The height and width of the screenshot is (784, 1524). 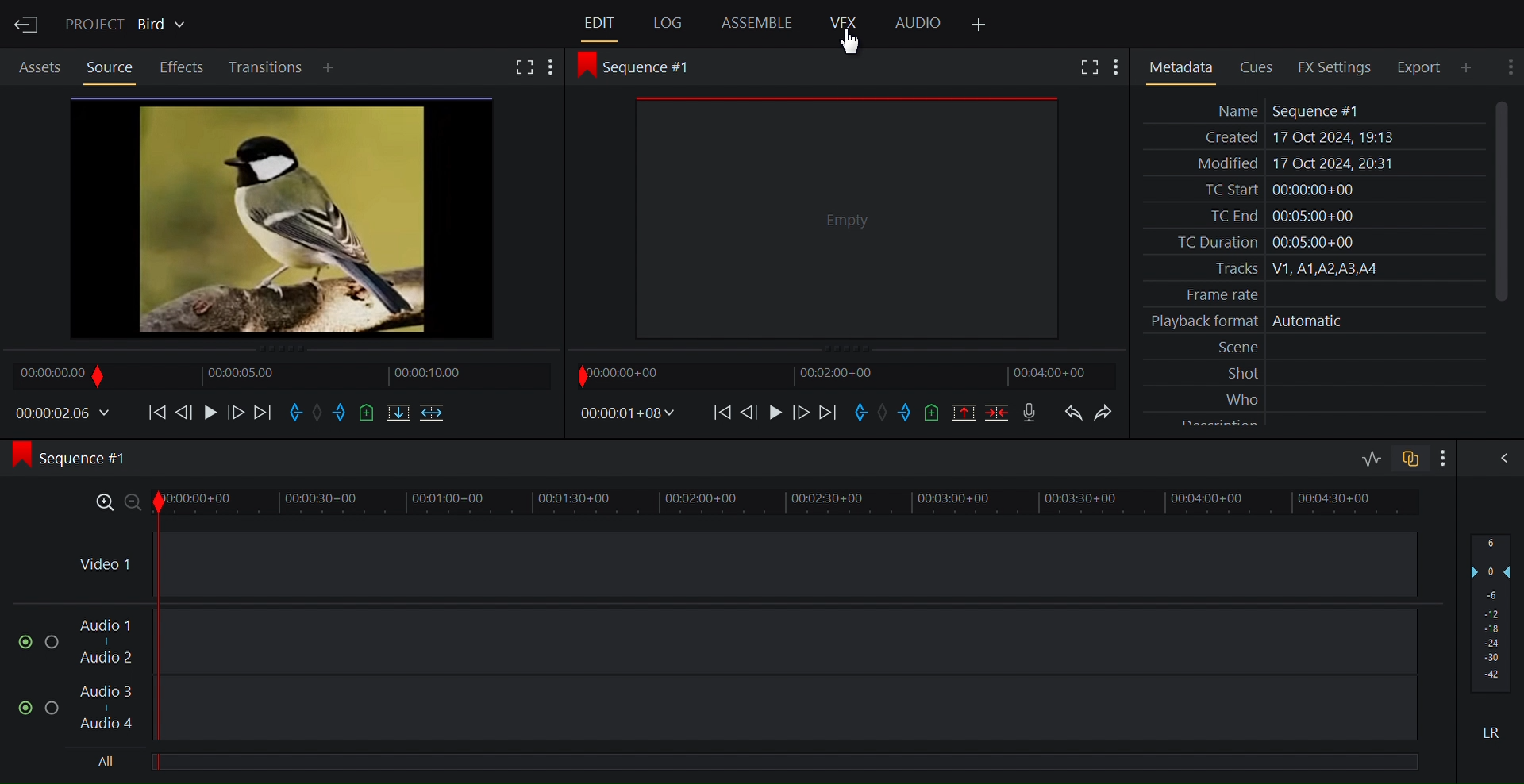 I want to click on cCursor, so click(x=852, y=46).